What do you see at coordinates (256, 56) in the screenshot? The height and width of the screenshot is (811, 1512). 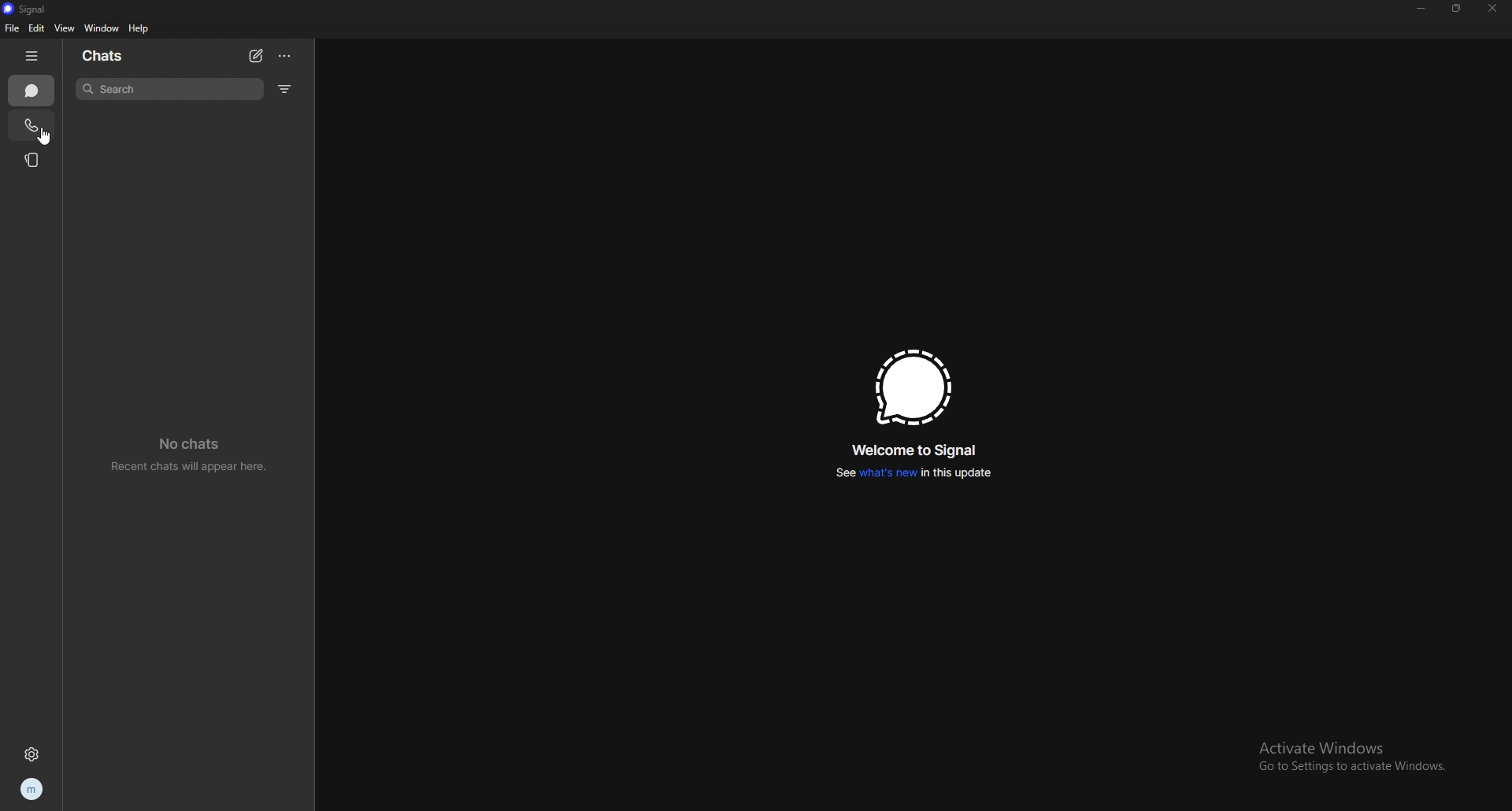 I see `new chat` at bounding box center [256, 56].